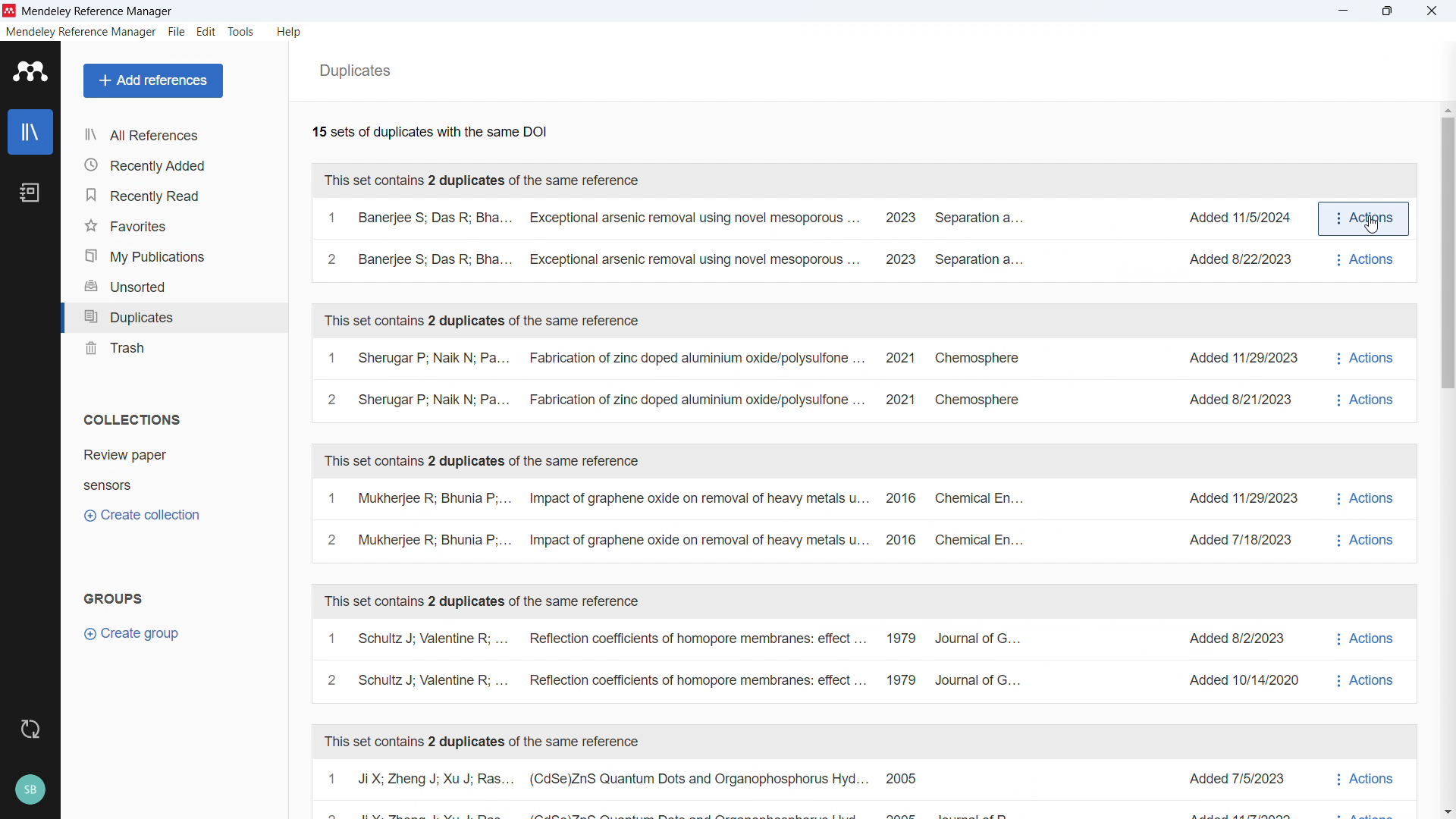 Image resolution: width=1456 pixels, height=819 pixels. Describe the element at coordinates (172, 193) in the screenshot. I see `Recently read ` at that location.